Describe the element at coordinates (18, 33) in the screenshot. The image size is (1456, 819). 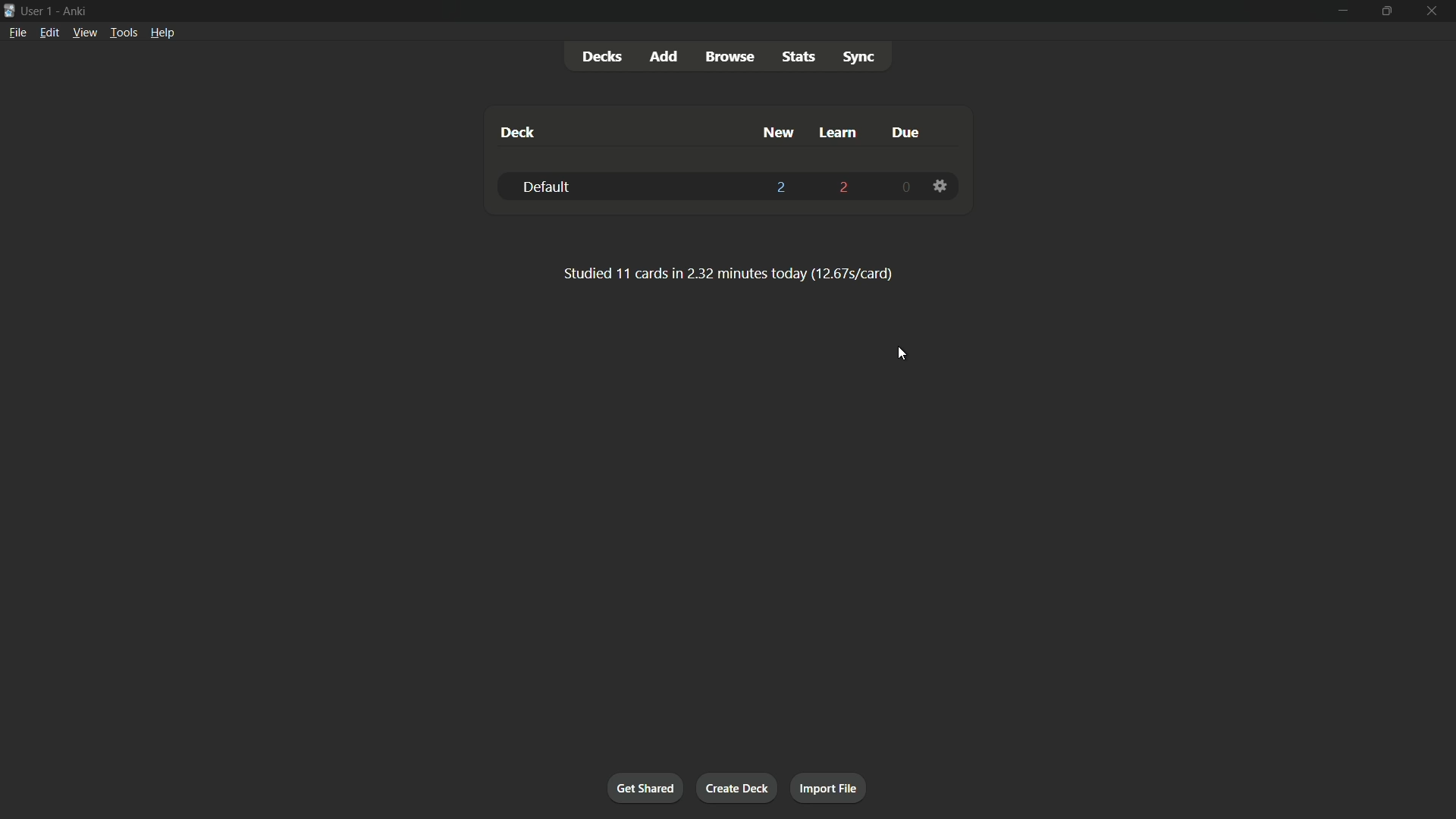
I see `file menu` at that location.